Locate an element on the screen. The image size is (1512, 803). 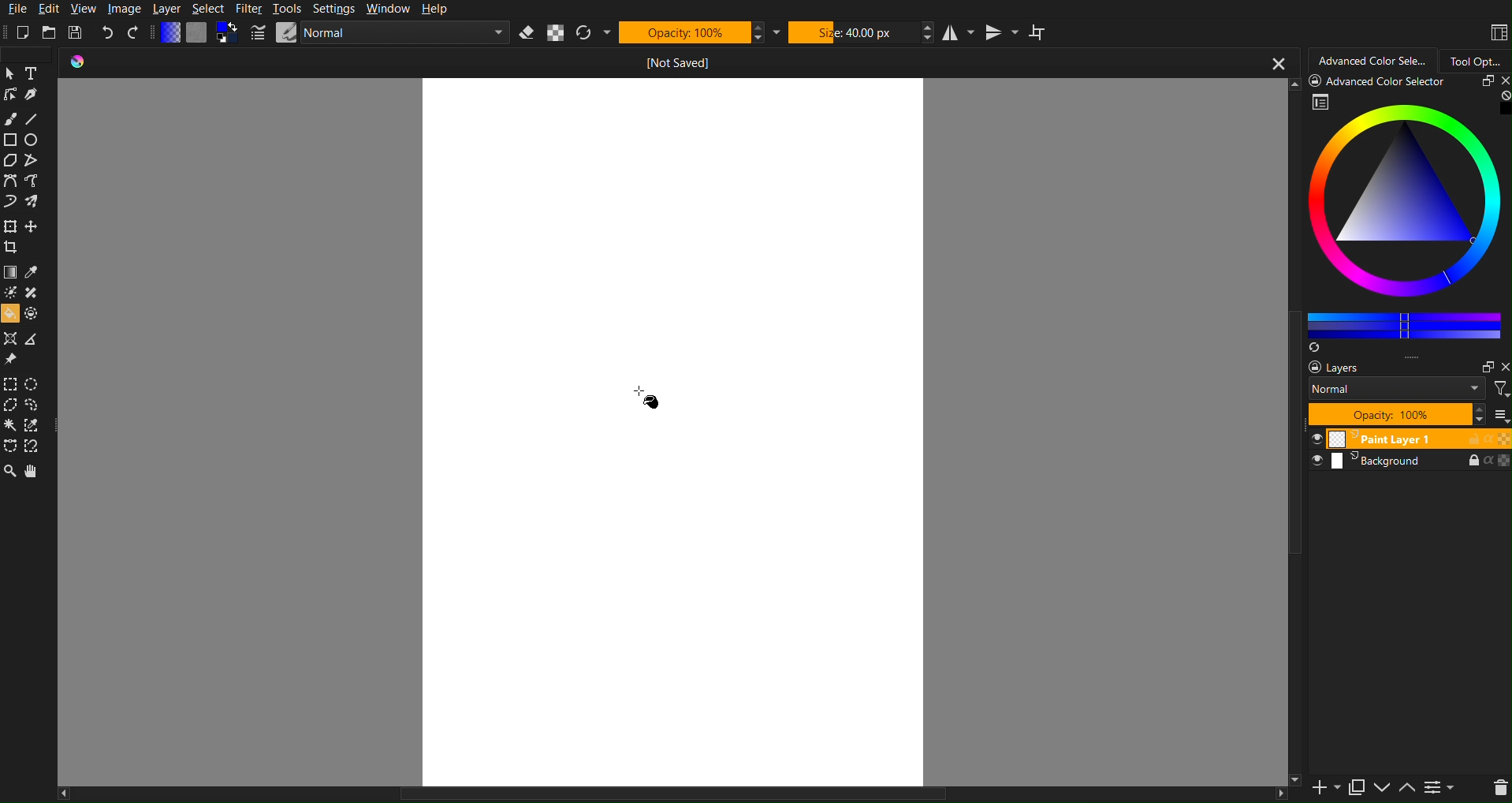
background is located at coordinates (1366, 462).